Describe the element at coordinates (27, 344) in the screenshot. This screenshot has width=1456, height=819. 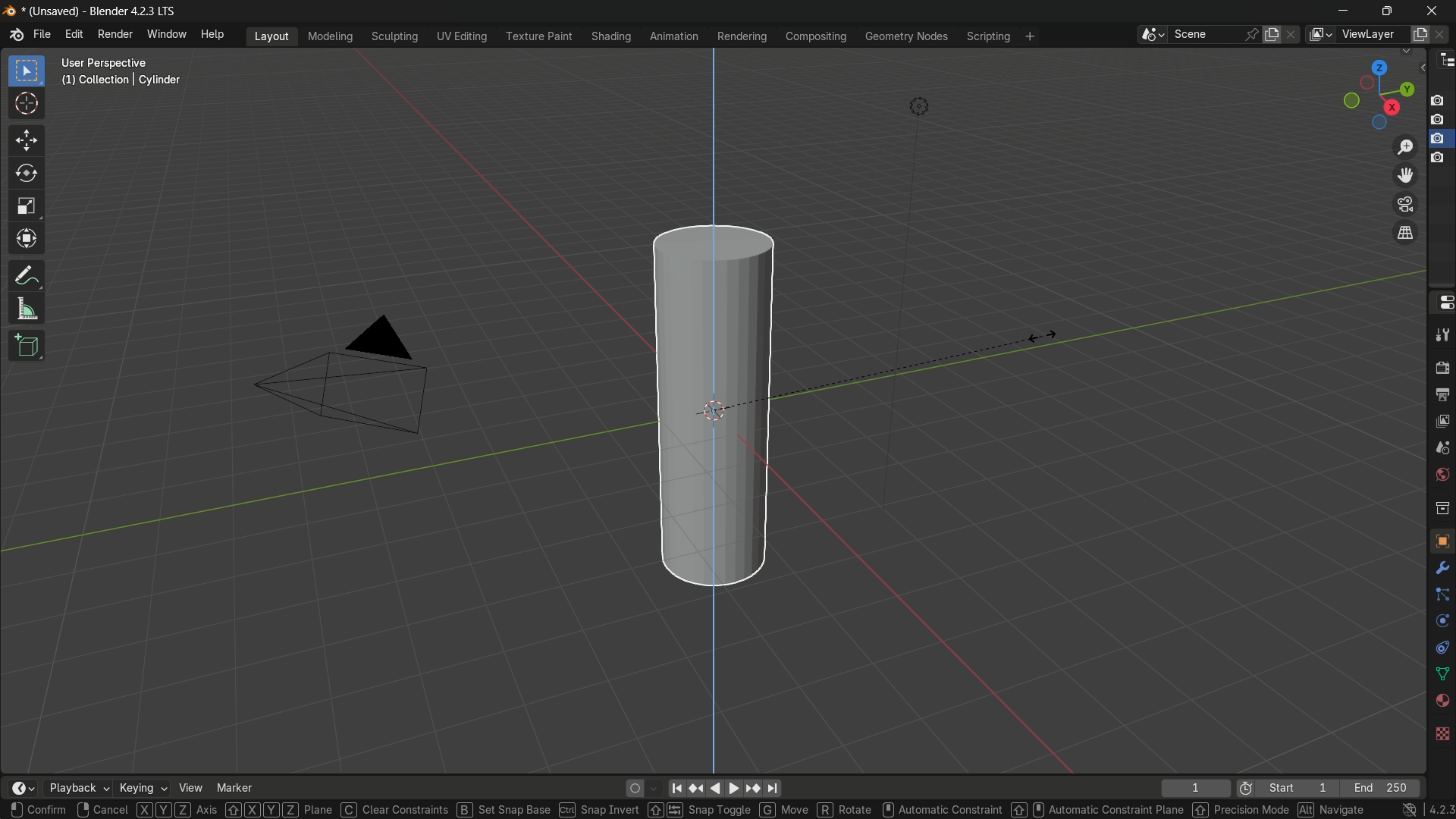
I see `add cube` at that location.